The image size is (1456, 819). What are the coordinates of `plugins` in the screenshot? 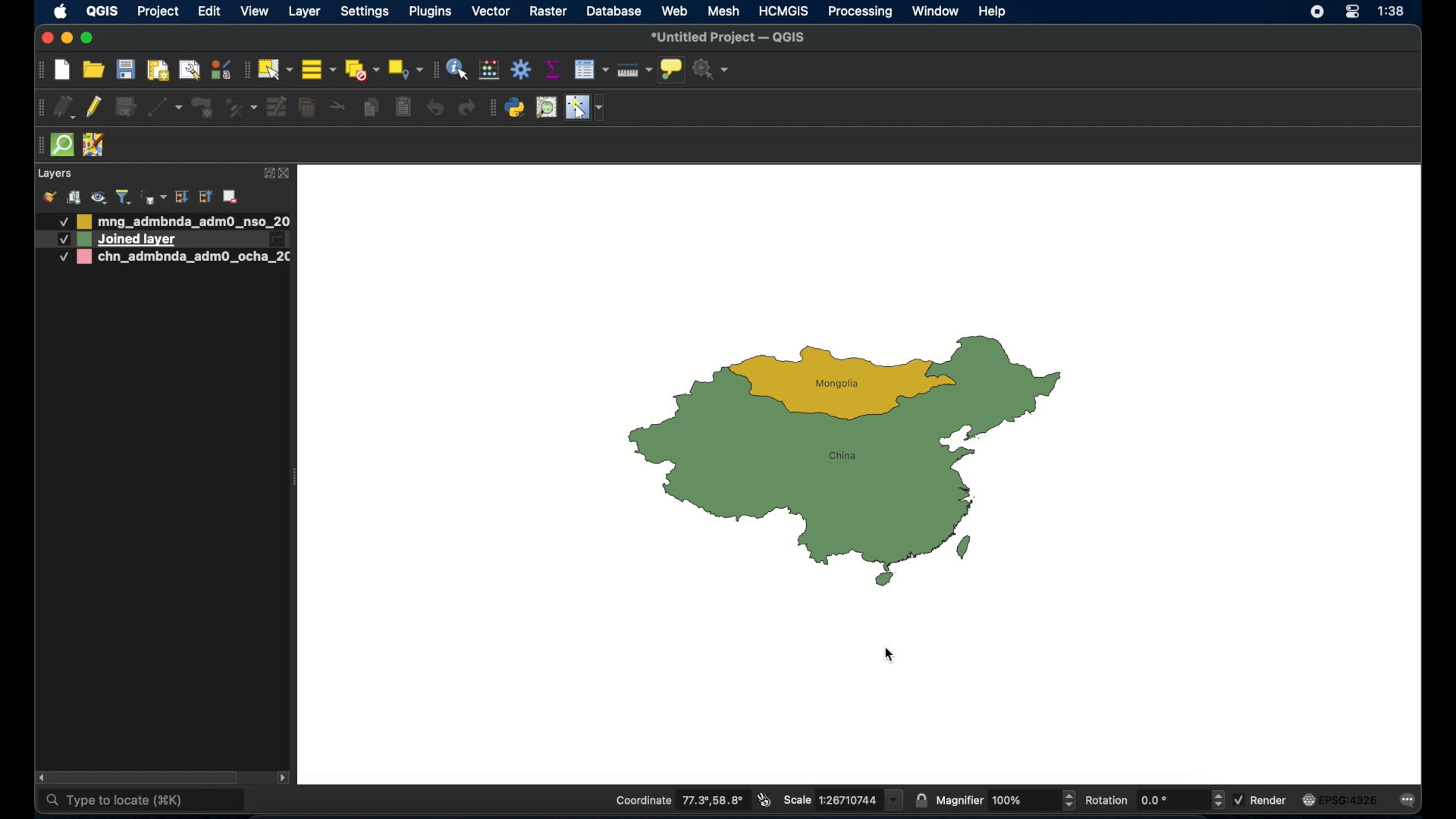 It's located at (429, 12).